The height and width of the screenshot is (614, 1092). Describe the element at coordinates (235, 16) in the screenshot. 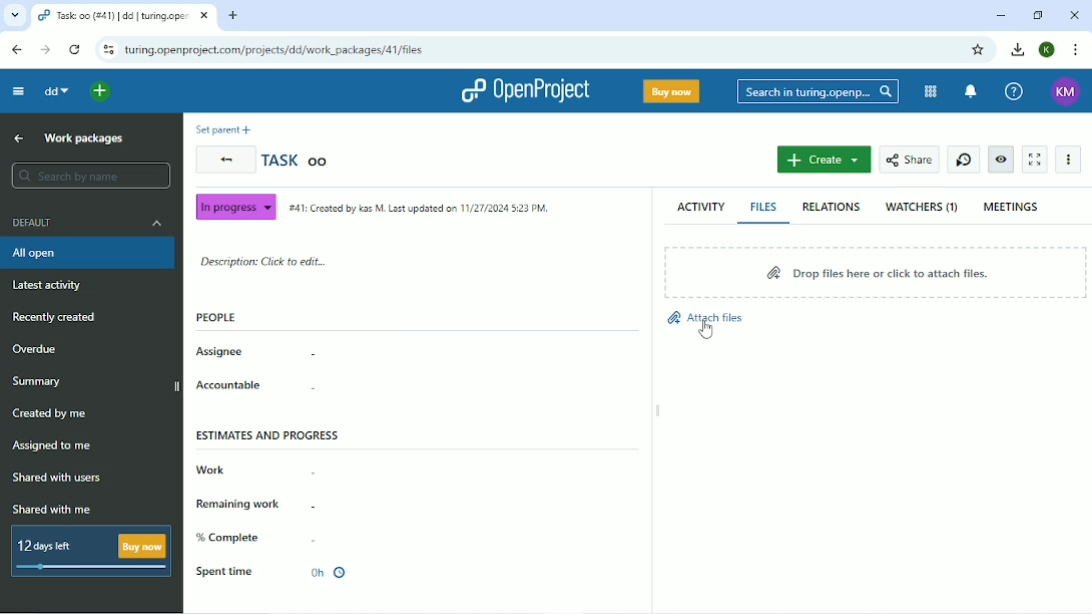

I see `New tab` at that location.